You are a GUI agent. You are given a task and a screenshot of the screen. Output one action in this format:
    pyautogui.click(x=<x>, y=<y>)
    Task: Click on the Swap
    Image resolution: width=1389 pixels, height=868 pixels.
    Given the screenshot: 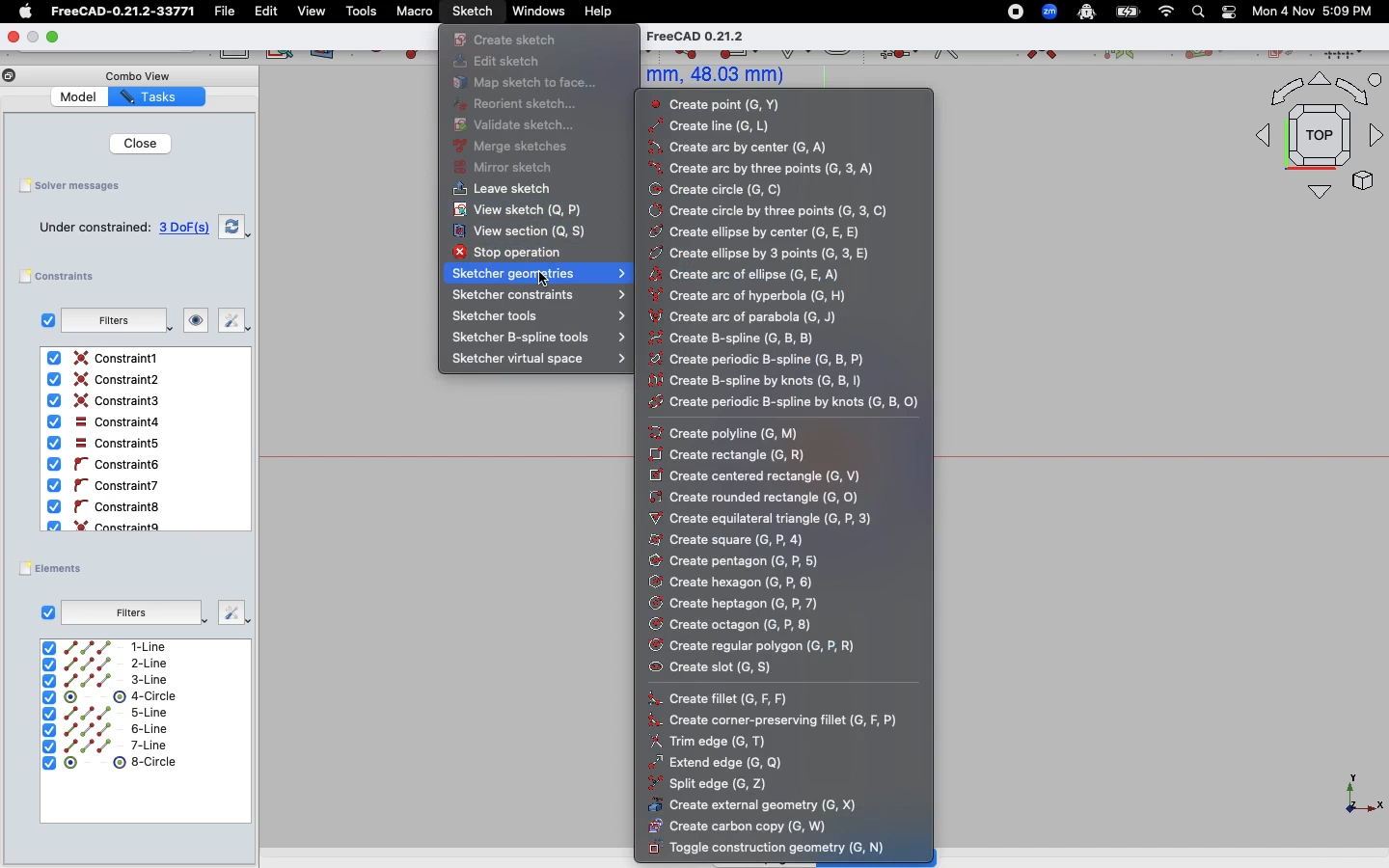 What is the action you would take?
    pyautogui.click(x=235, y=226)
    